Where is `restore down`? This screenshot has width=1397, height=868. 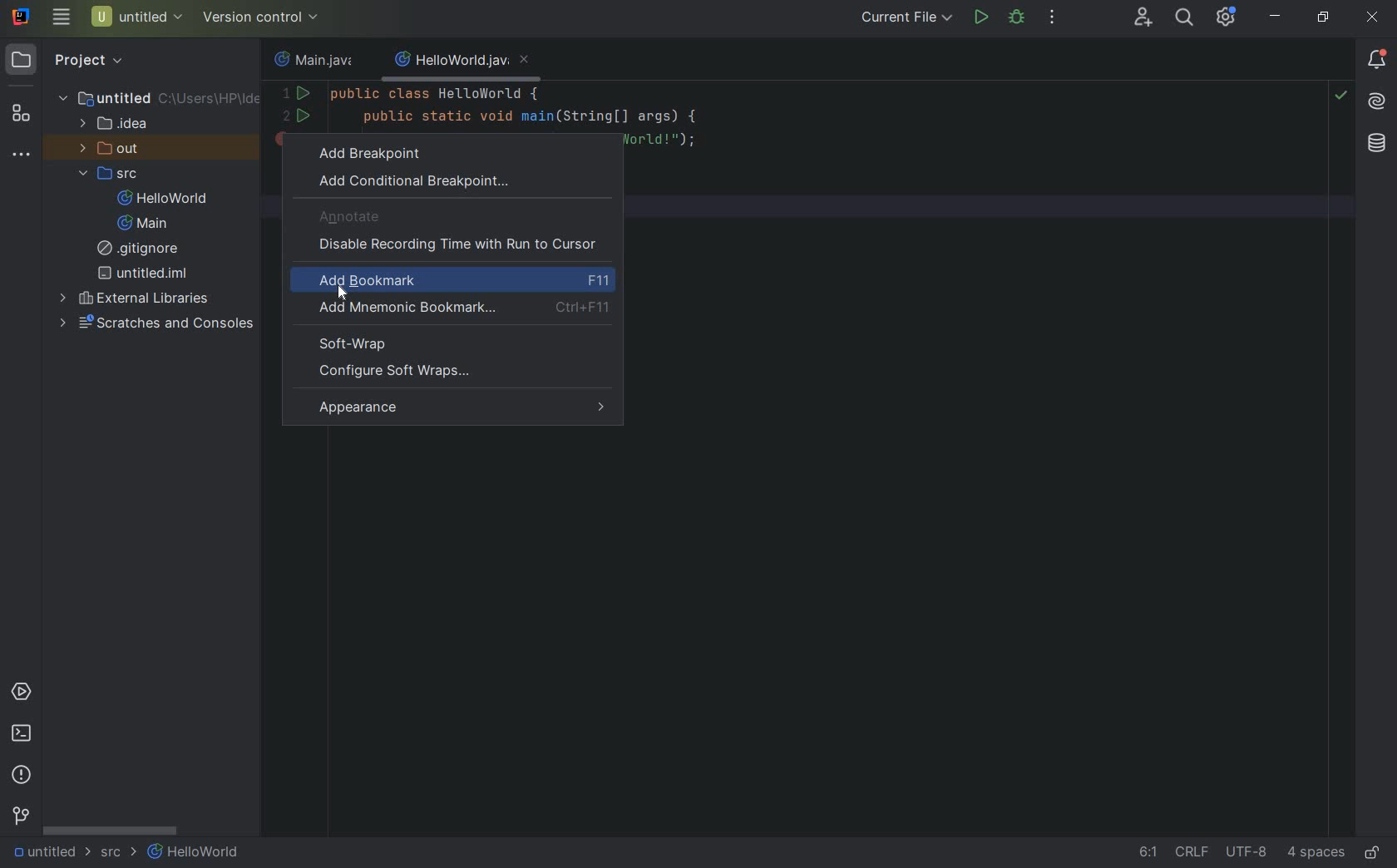
restore down is located at coordinates (1322, 17).